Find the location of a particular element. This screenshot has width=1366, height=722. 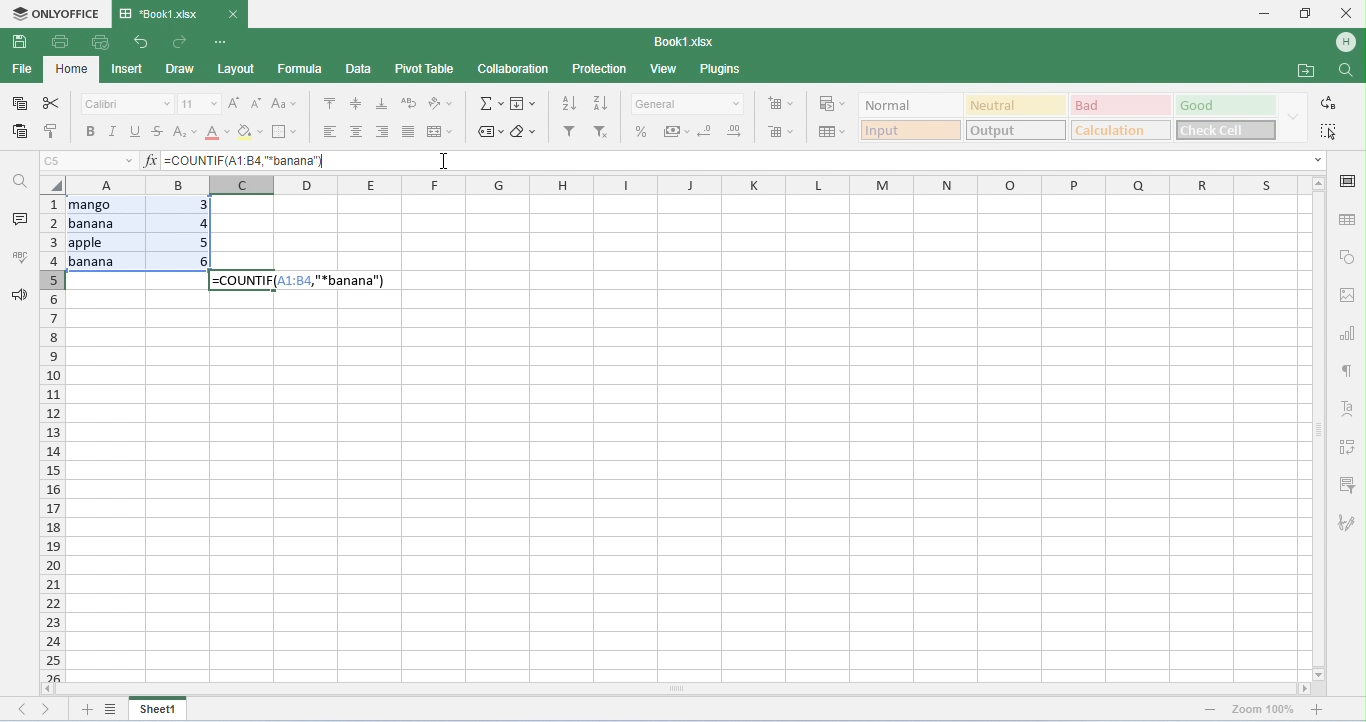

wrap text is located at coordinates (409, 103).